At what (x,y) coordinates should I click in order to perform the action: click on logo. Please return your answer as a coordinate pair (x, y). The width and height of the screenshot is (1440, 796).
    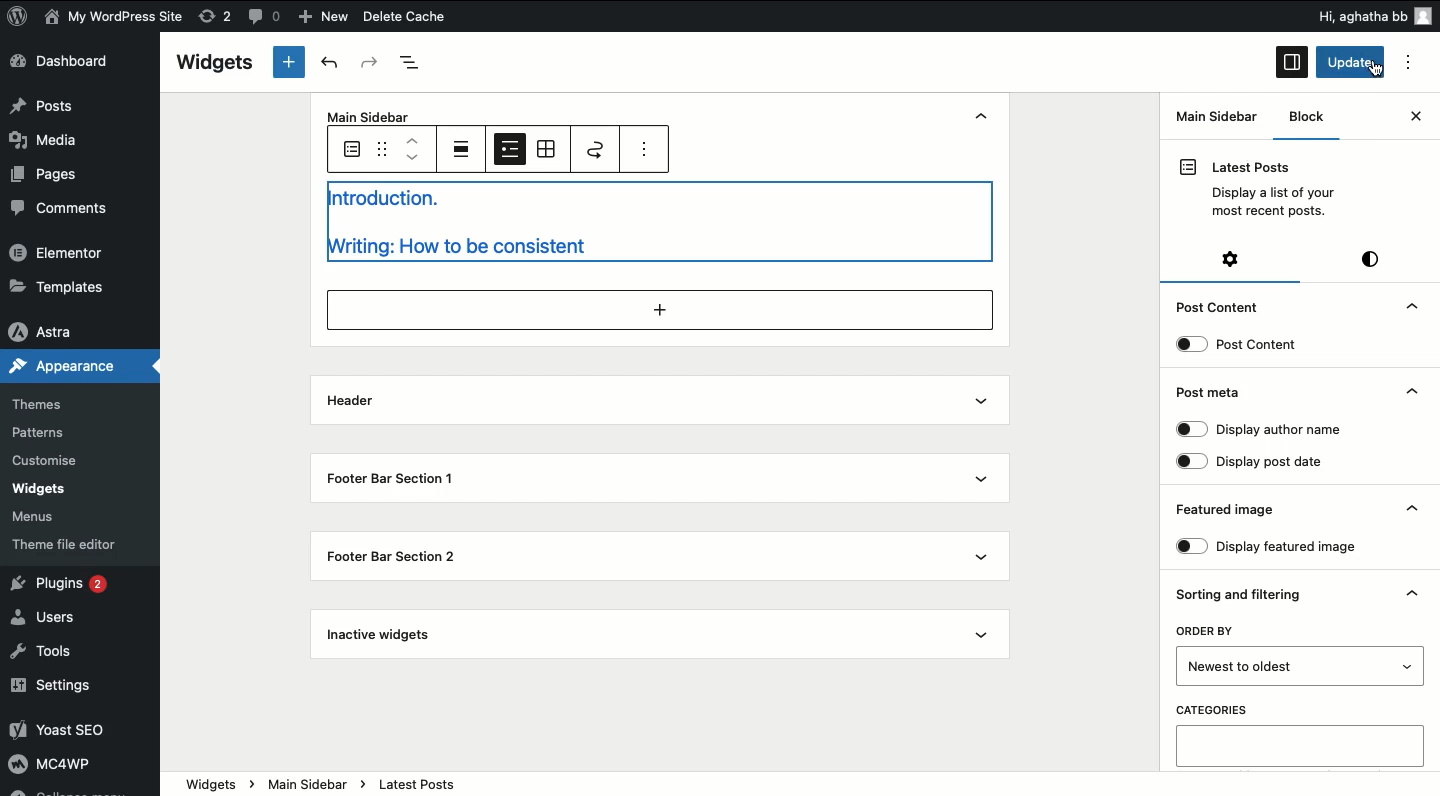
    Looking at the image, I should click on (21, 21).